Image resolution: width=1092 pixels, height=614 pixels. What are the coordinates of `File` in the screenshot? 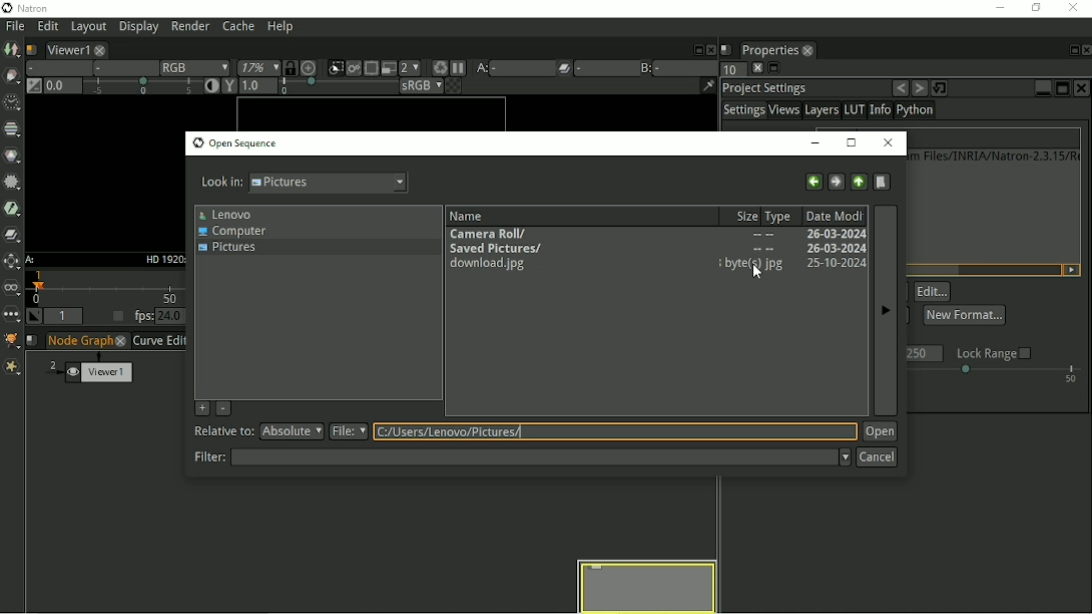 It's located at (13, 26).